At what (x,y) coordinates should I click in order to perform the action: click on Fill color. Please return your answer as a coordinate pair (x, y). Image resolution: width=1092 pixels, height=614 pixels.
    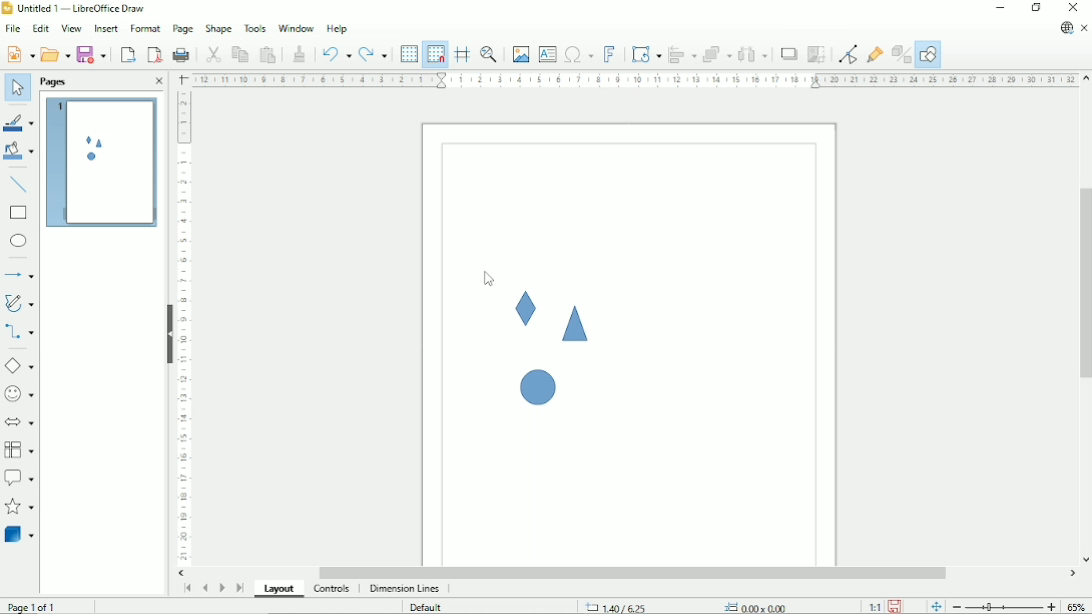
    Looking at the image, I should click on (19, 152).